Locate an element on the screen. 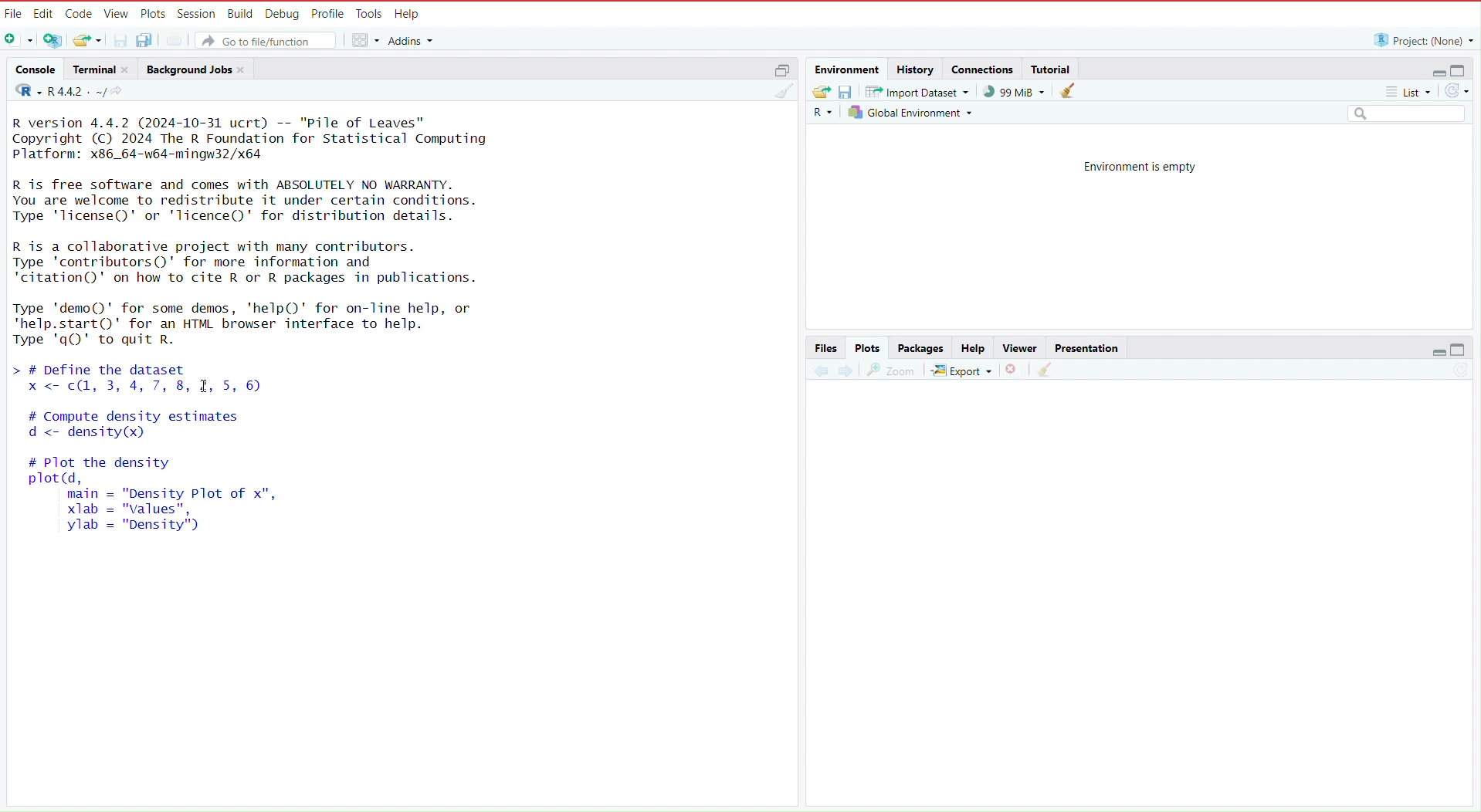 The height and width of the screenshot is (812, 1481). build is located at coordinates (239, 12).